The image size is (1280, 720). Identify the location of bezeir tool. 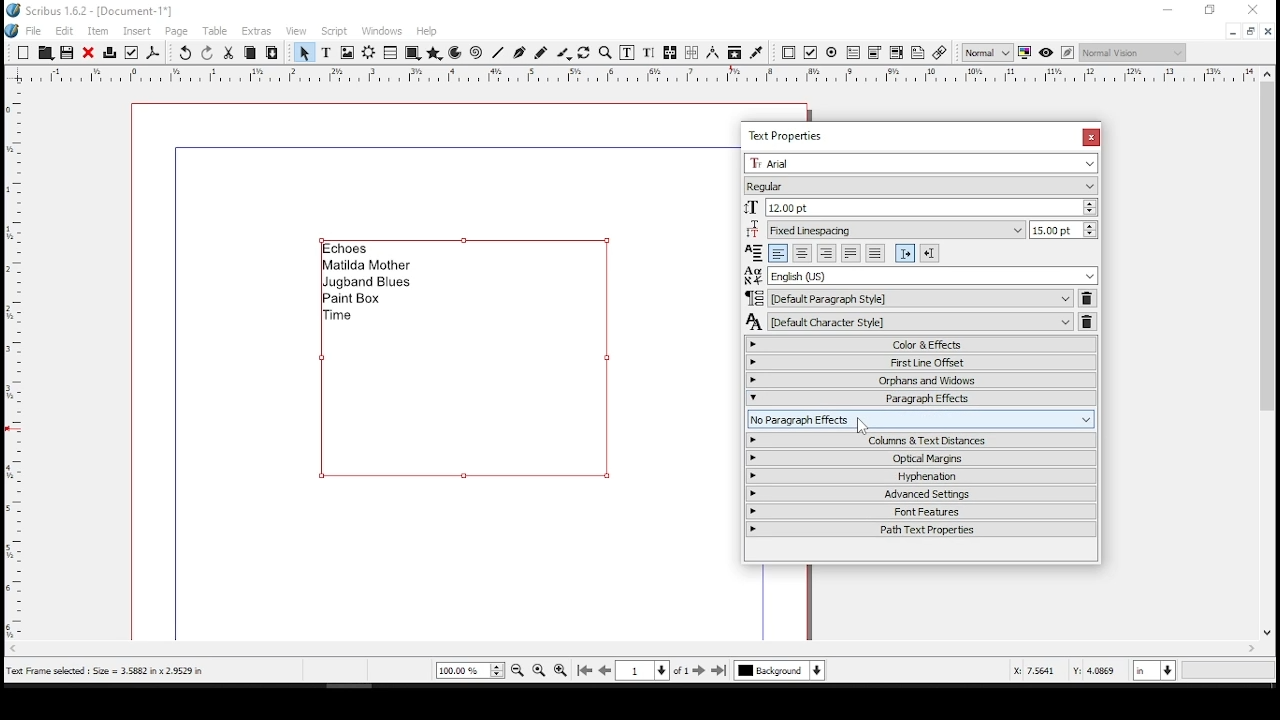
(520, 54).